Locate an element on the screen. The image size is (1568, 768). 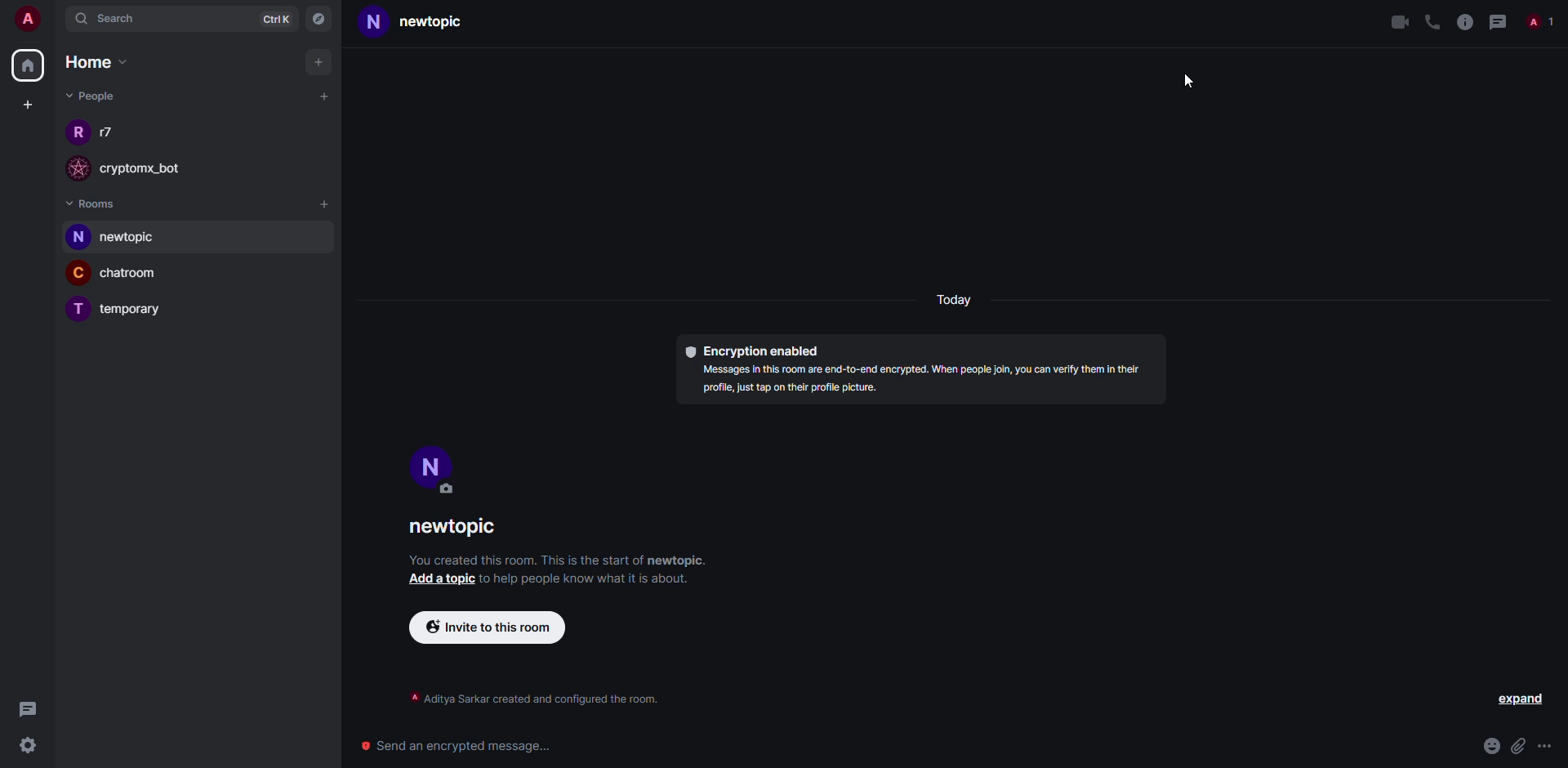
profile is located at coordinates (373, 25).